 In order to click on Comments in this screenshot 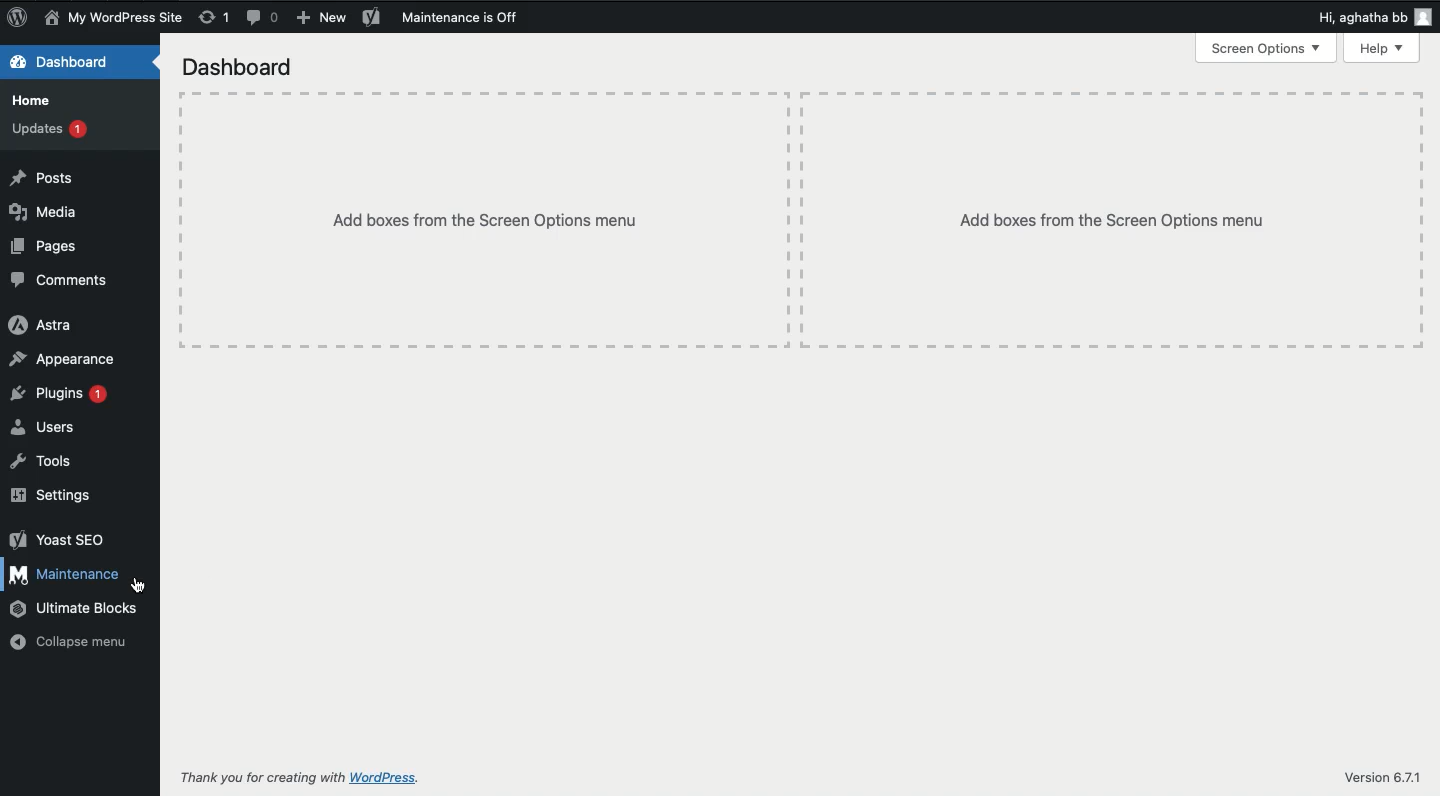, I will do `click(63, 279)`.